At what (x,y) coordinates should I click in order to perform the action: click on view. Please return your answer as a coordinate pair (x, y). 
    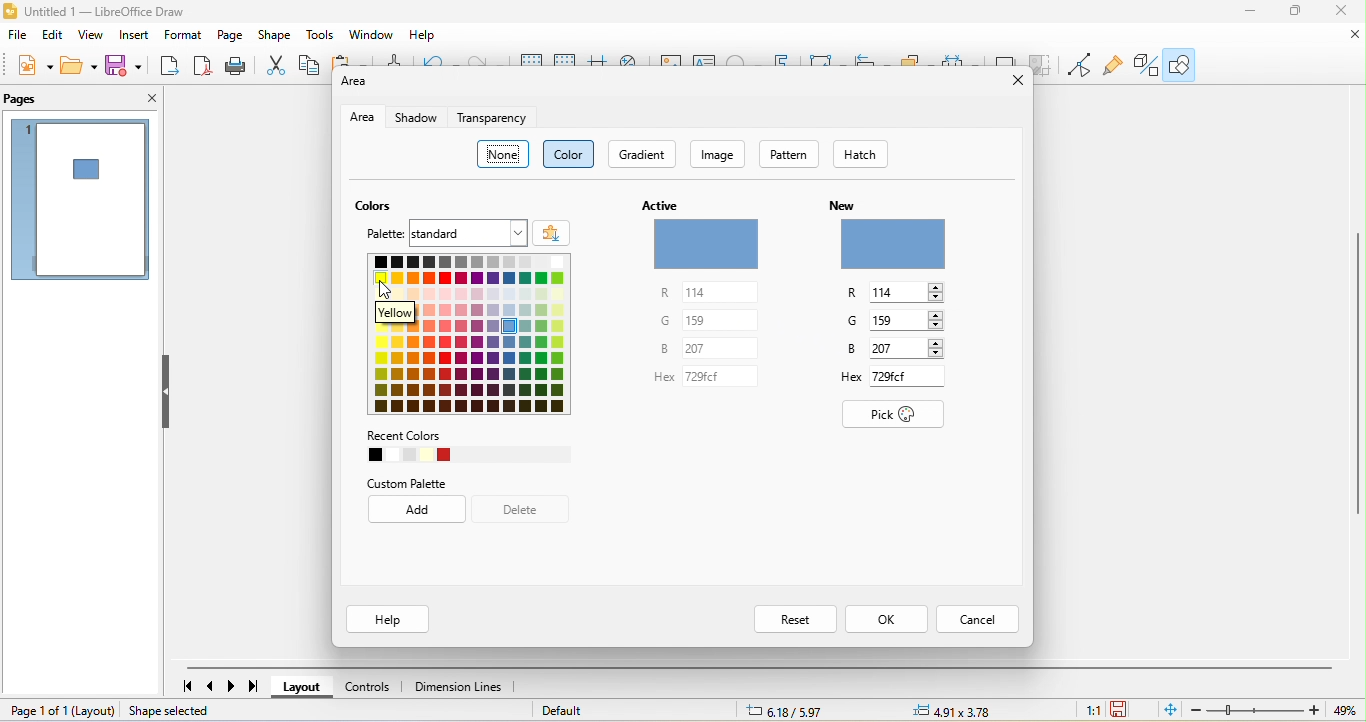
    Looking at the image, I should click on (89, 37).